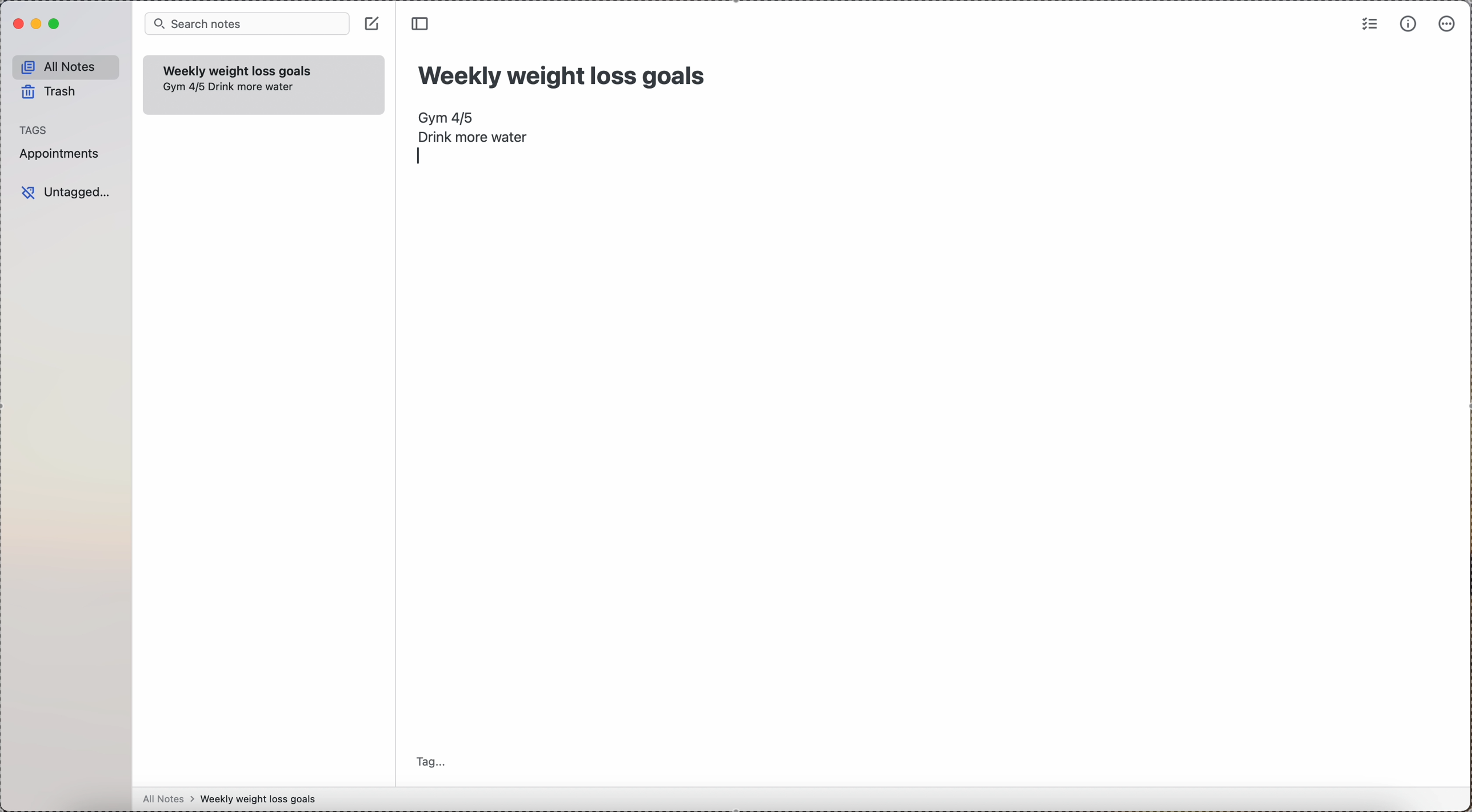  What do you see at coordinates (62, 155) in the screenshot?
I see `appointments` at bounding box center [62, 155].